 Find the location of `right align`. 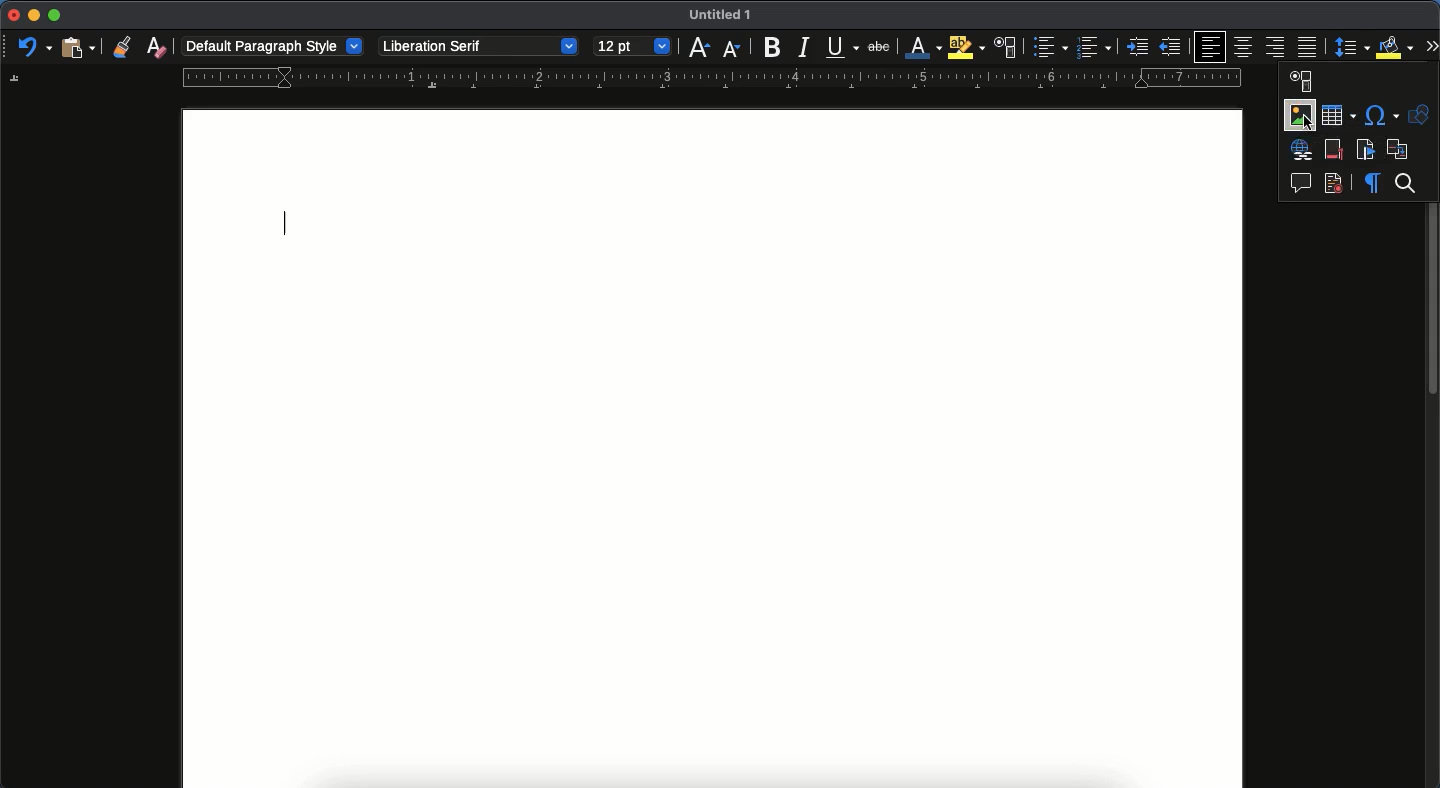

right align is located at coordinates (1277, 48).